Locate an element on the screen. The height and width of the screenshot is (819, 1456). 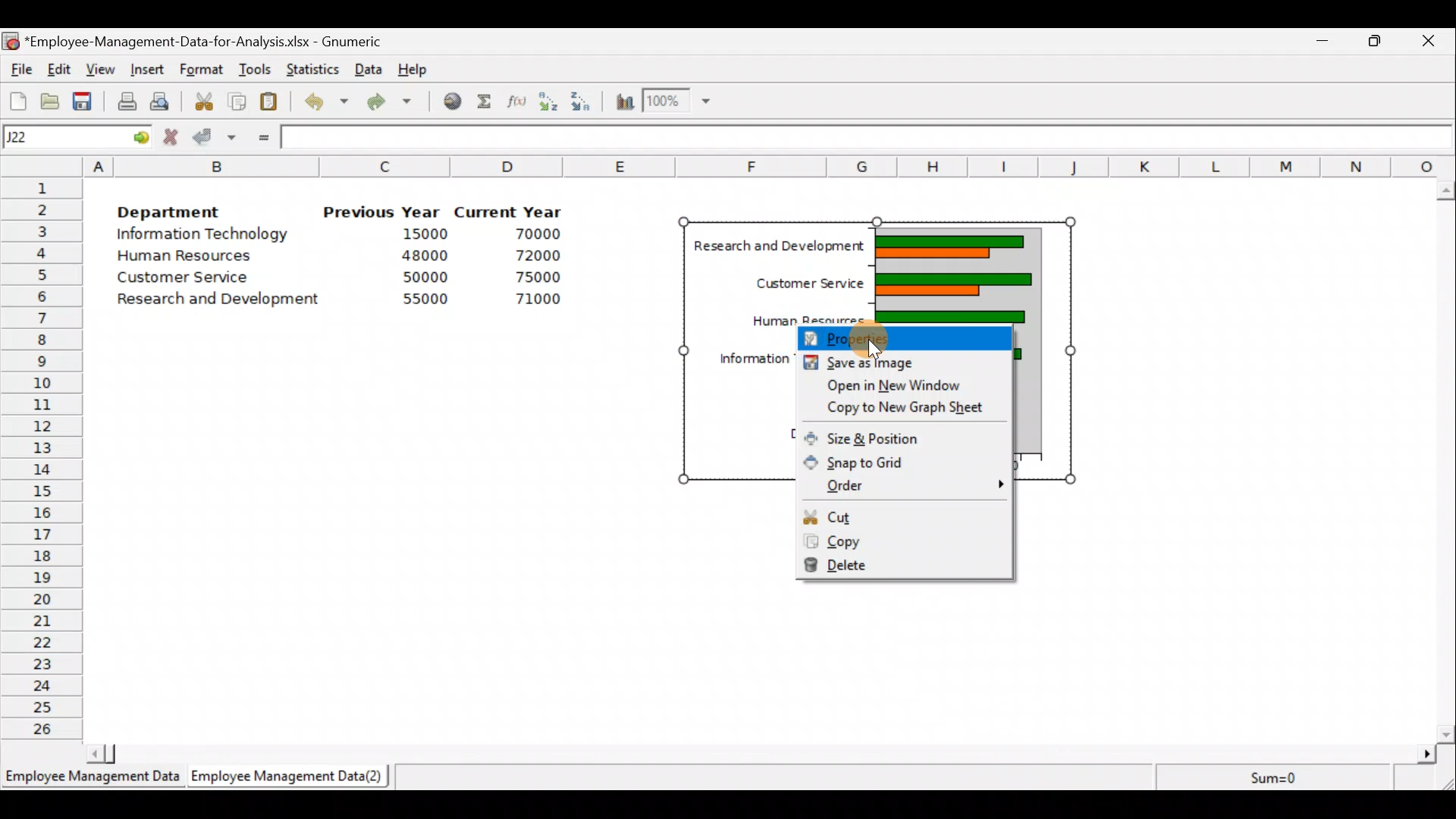
Insert a chart is located at coordinates (620, 101).